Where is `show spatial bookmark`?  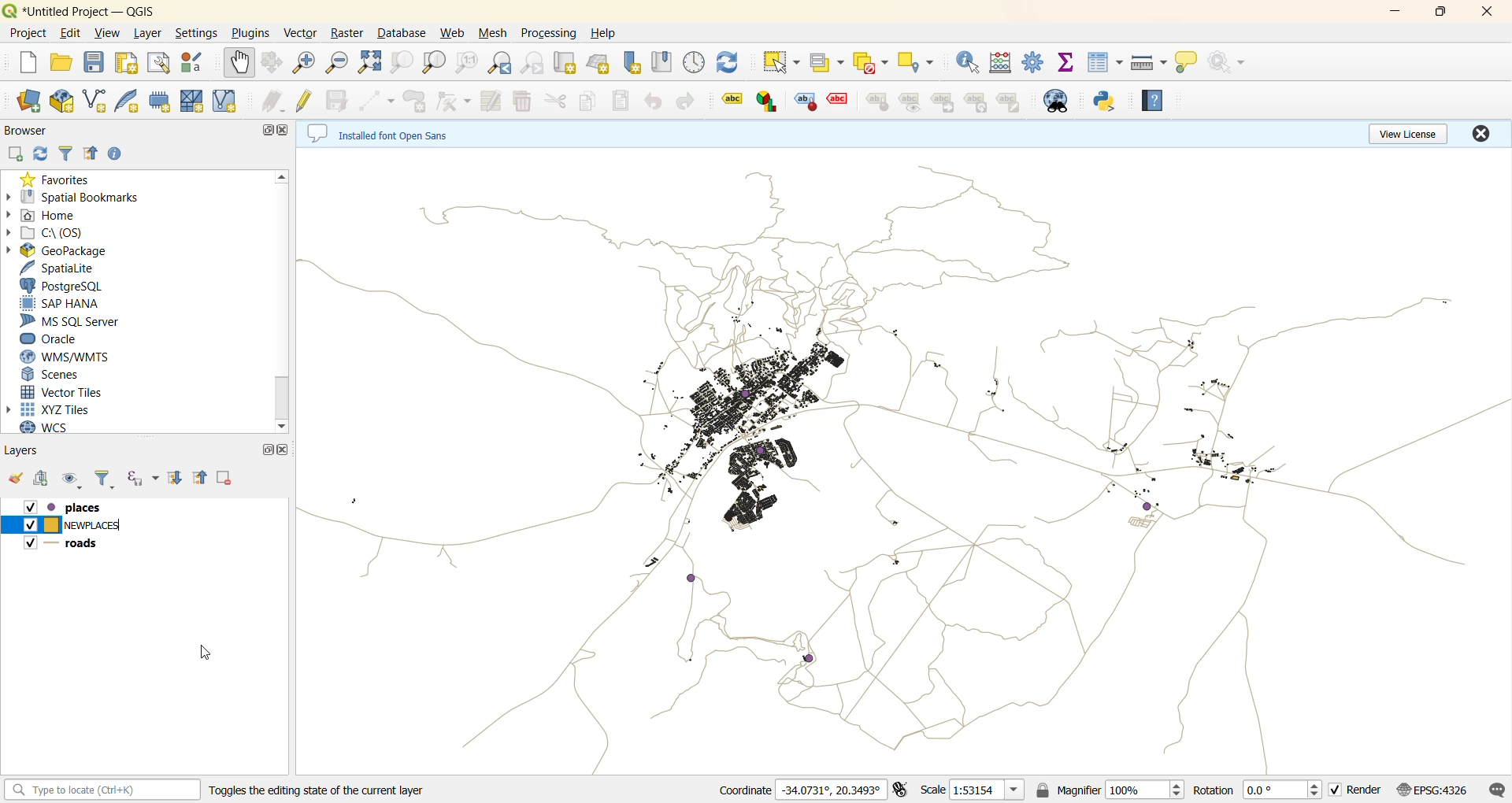
show spatial bookmark is located at coordinates (664, 61).